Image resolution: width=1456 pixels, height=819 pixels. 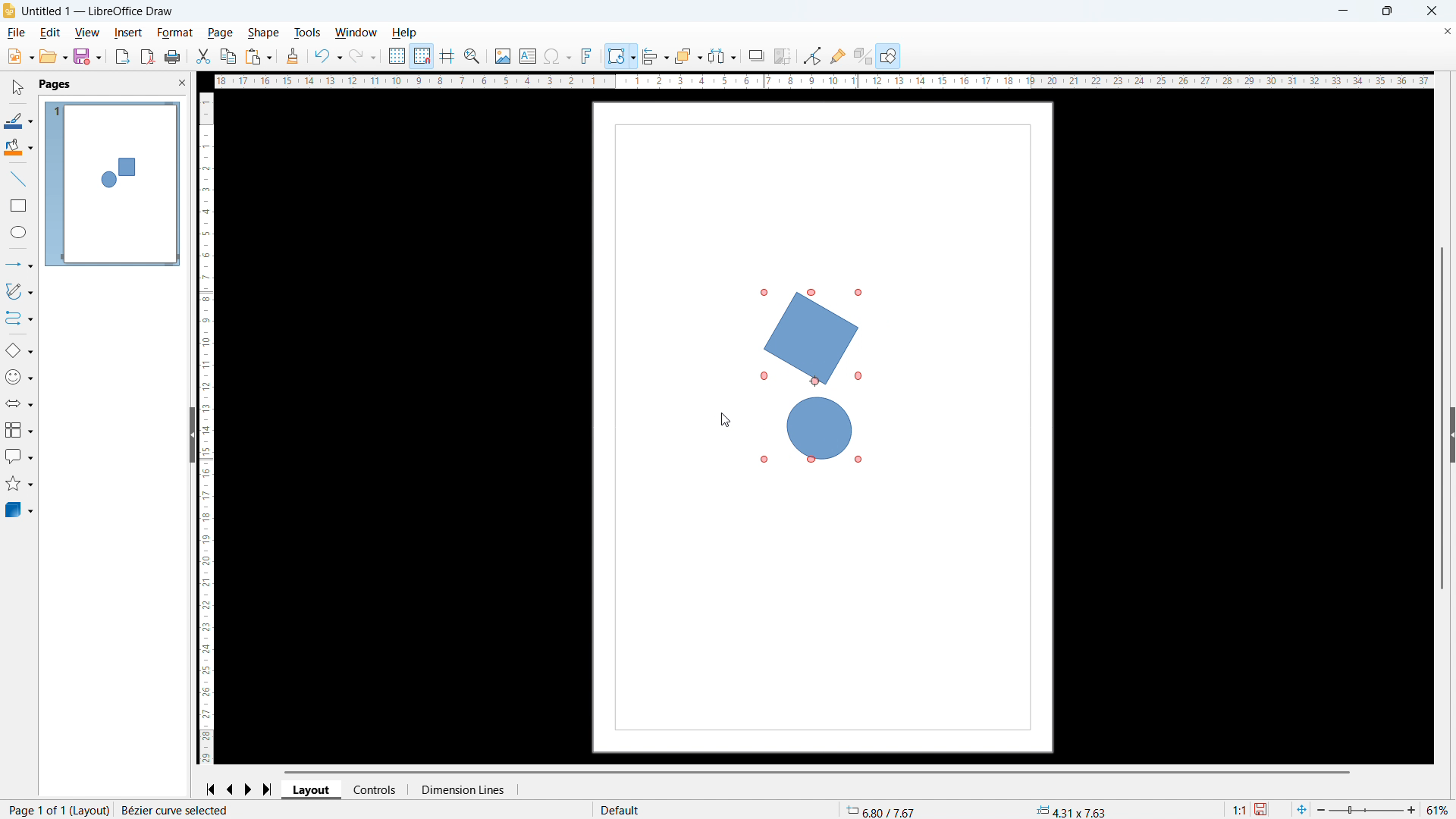 What do you see at coordinates (18, 178) in the screenshot?
I see `line ` at bounding box center [18, 178].